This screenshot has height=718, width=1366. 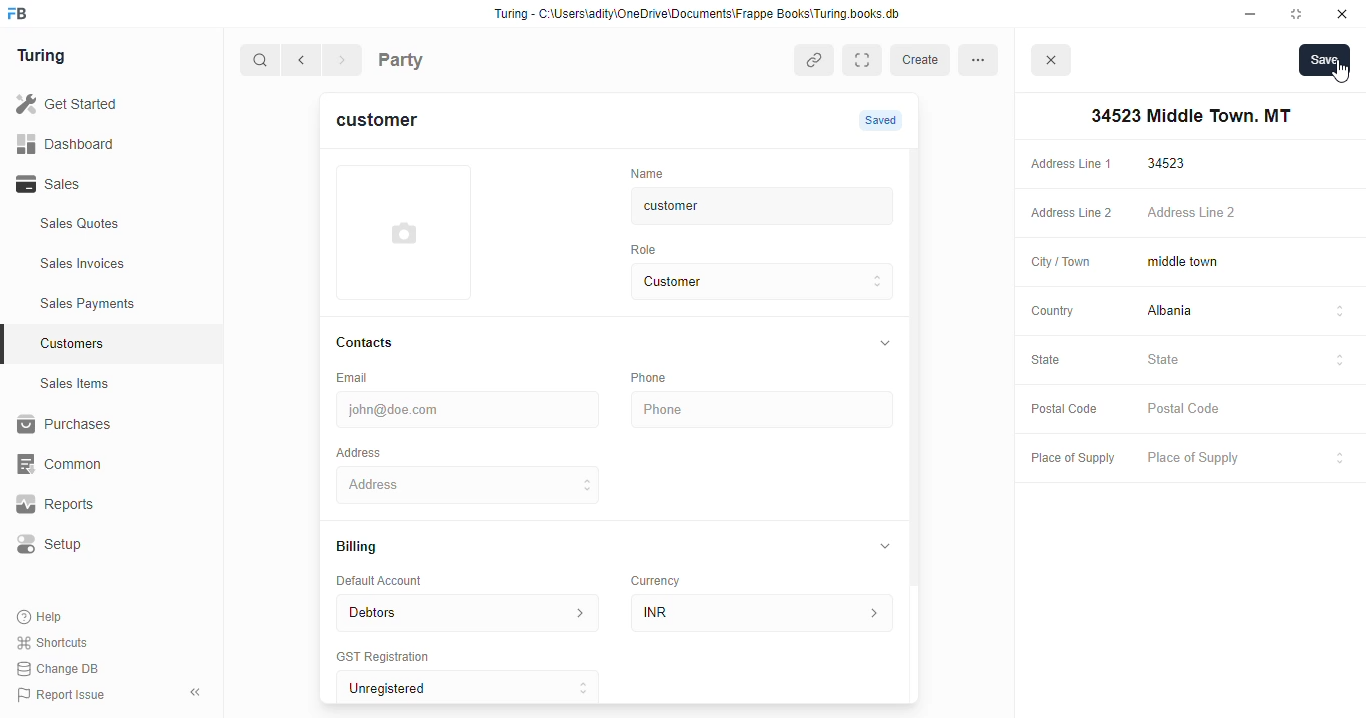 I want to click on ‘Common, so click(x=100, y=464).